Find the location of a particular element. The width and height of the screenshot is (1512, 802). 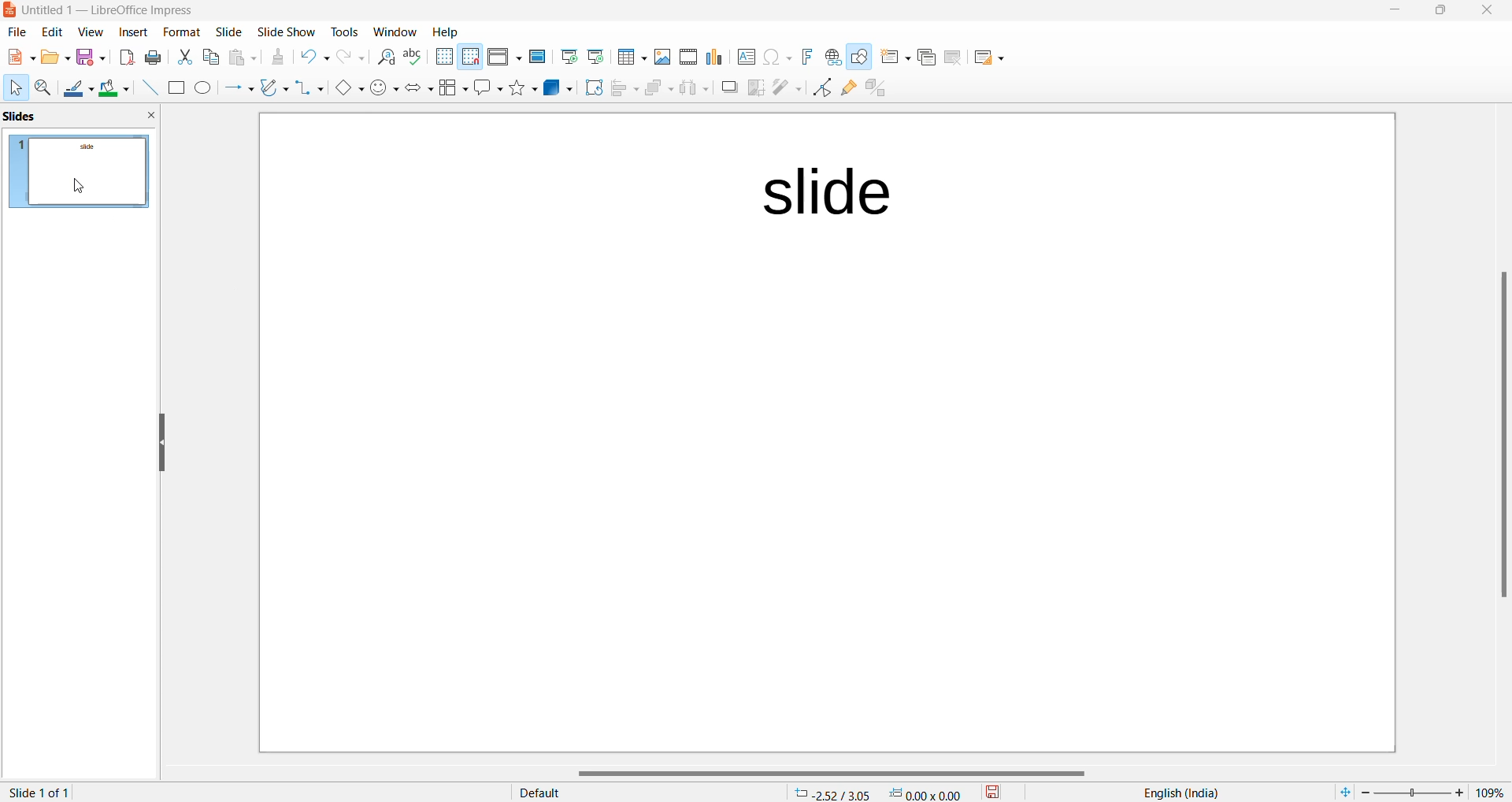

resize is located at coordinates (161, 444).